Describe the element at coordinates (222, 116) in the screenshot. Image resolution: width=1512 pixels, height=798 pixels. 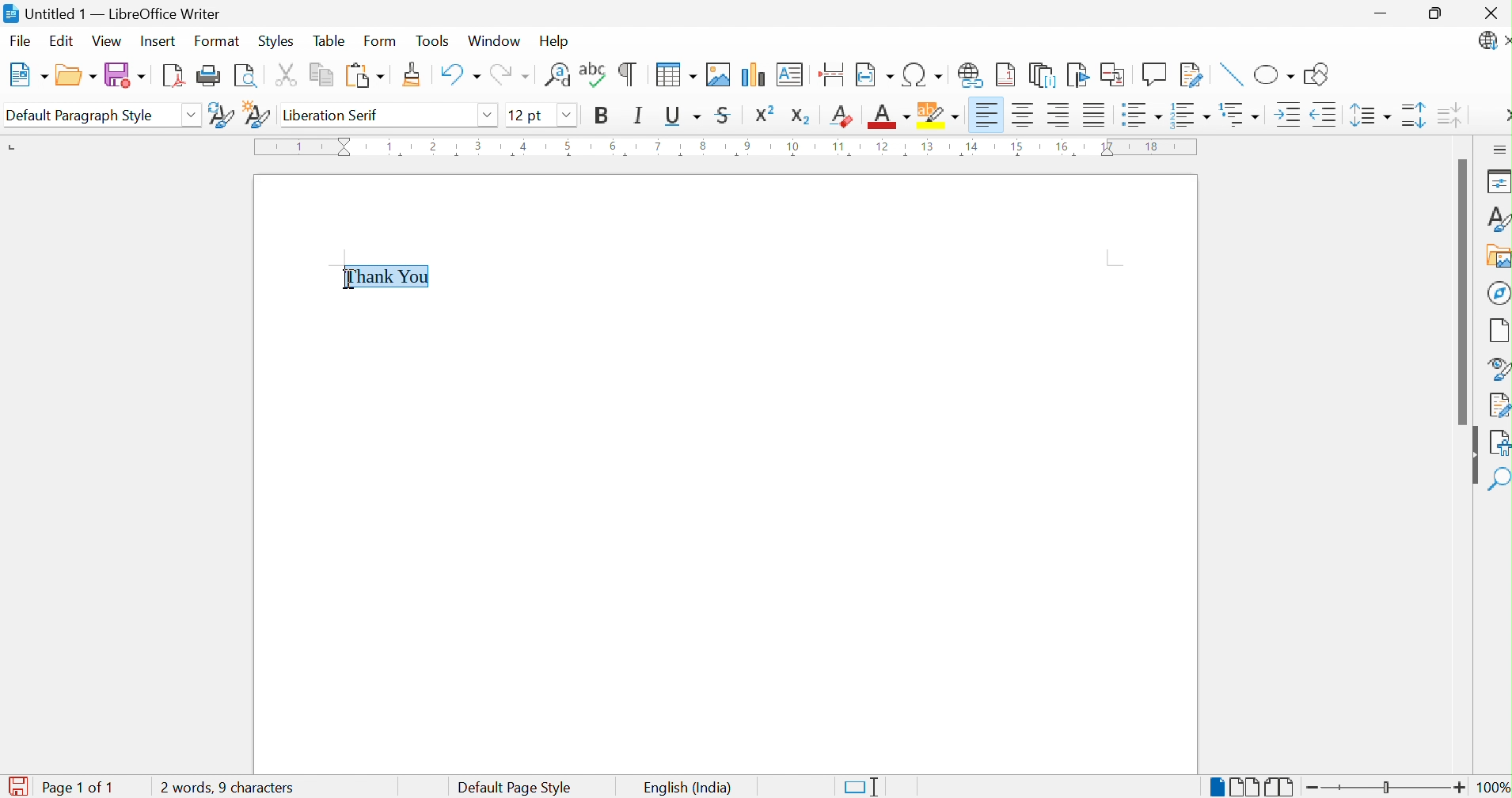
I see `Update Selected Style` at that location.